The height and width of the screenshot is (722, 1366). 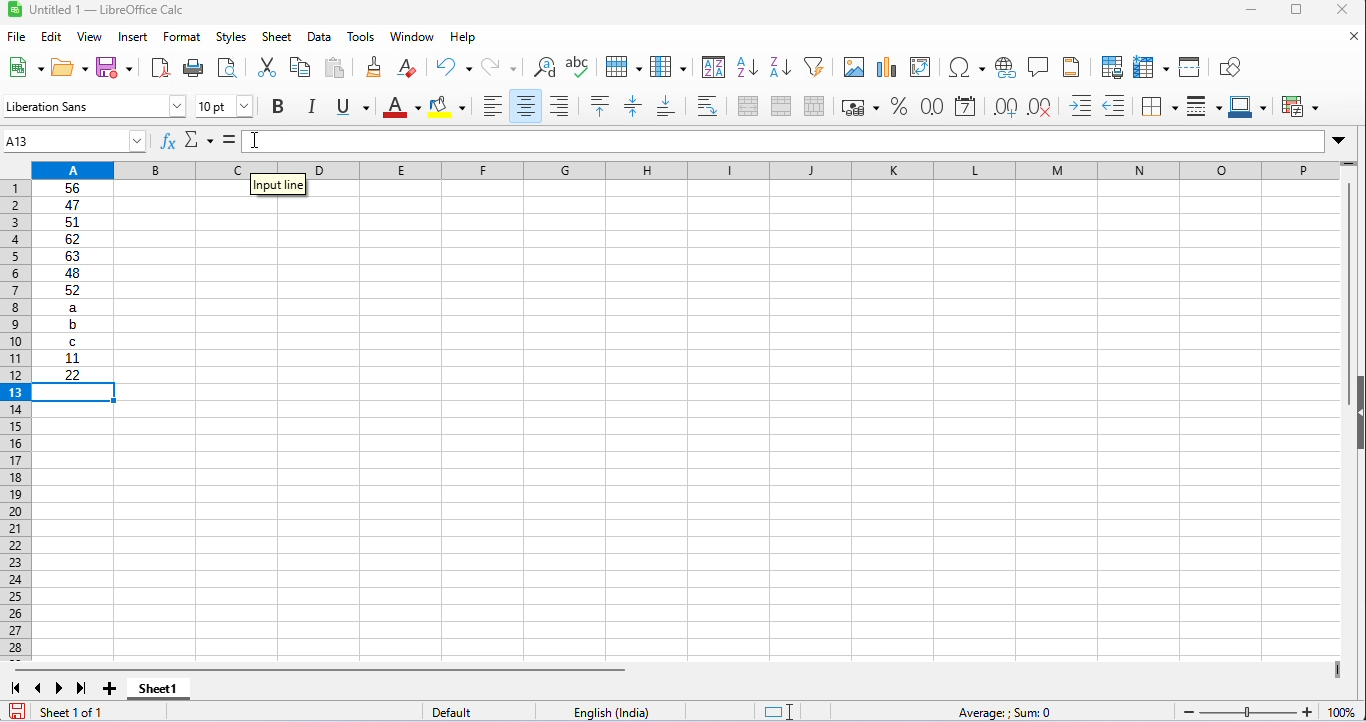 I want to click on Average: ; Sum: 0, so click(x=1002, y=712).